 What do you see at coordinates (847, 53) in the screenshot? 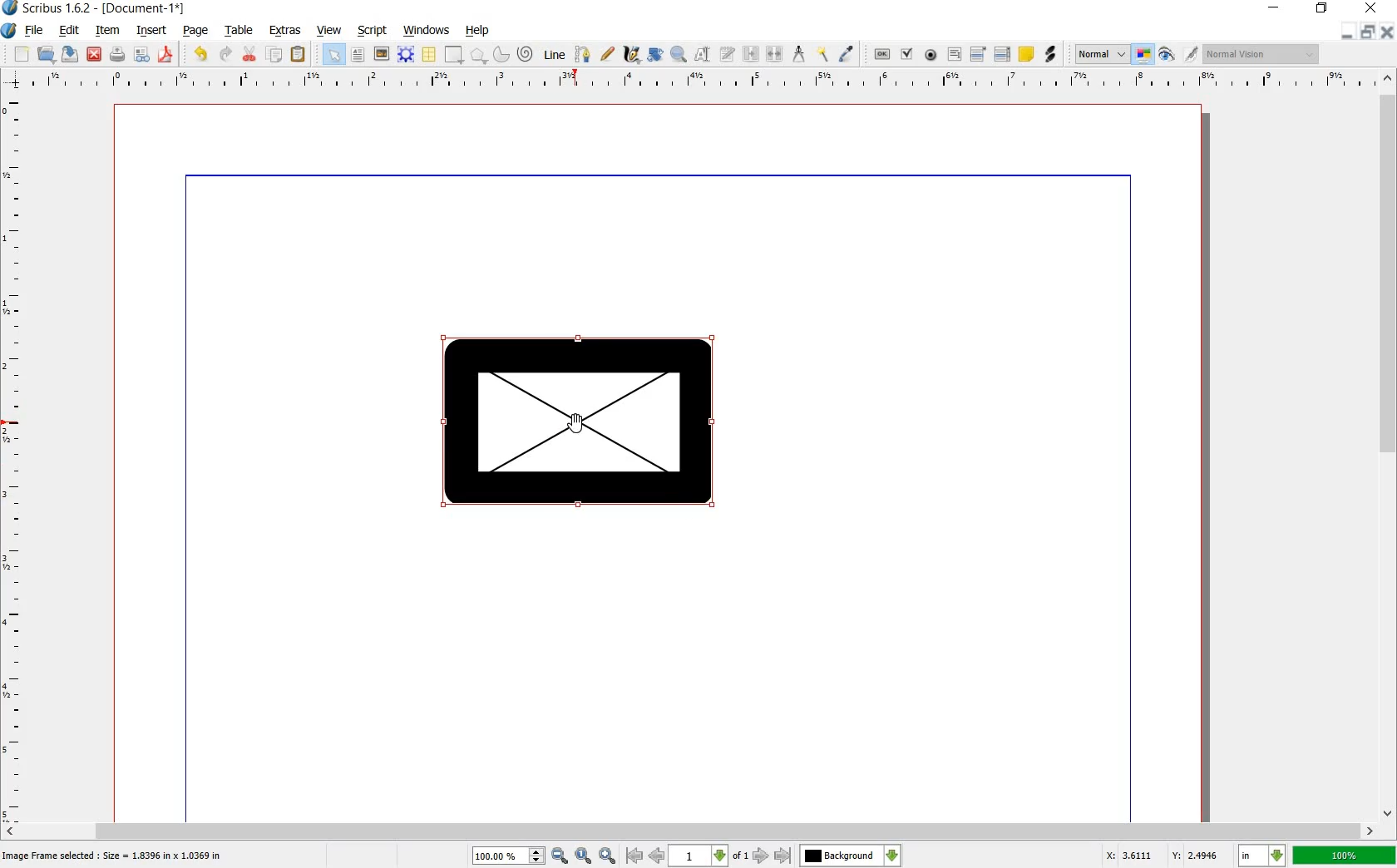
I see `eye dropper` at bounding box center [847, 53].